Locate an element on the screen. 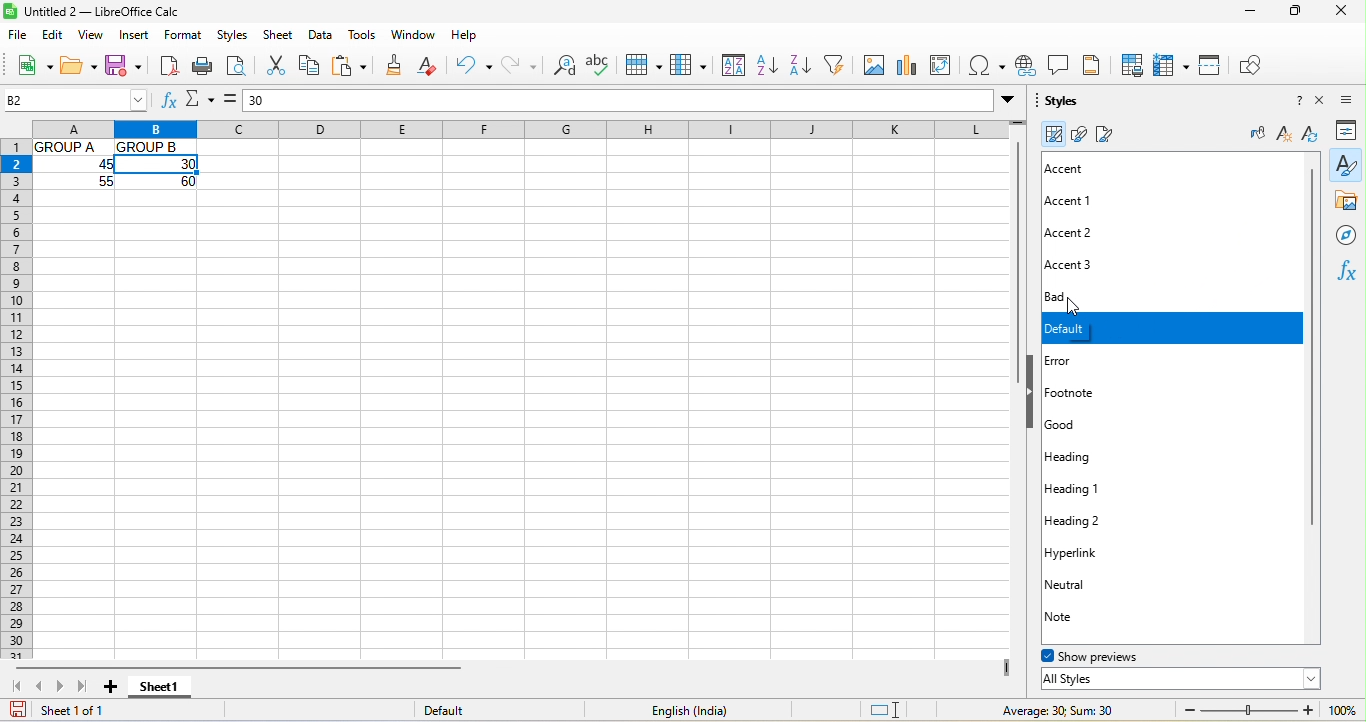 The width and height of the screenshot is (1366, 722). average 30 ; sum 30 is located at coordinates (1049, 711).